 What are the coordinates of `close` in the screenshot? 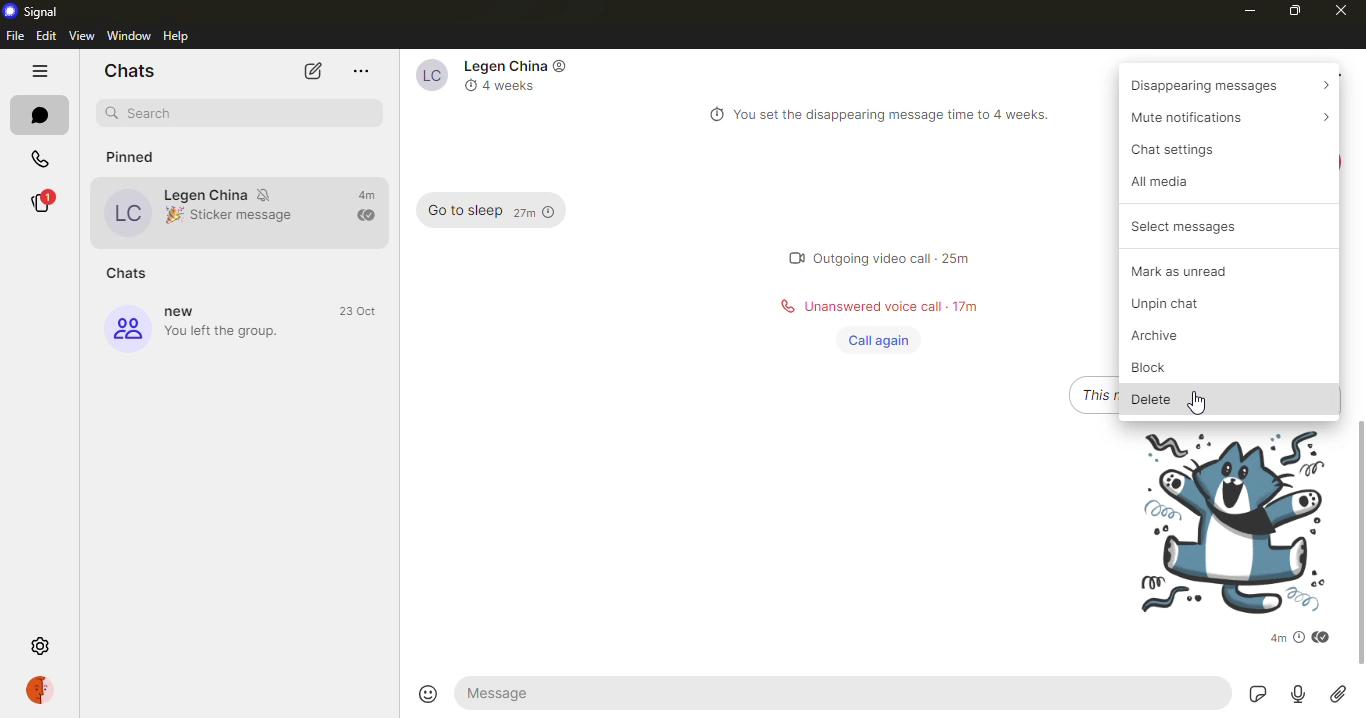 It's located at (1341, 12).